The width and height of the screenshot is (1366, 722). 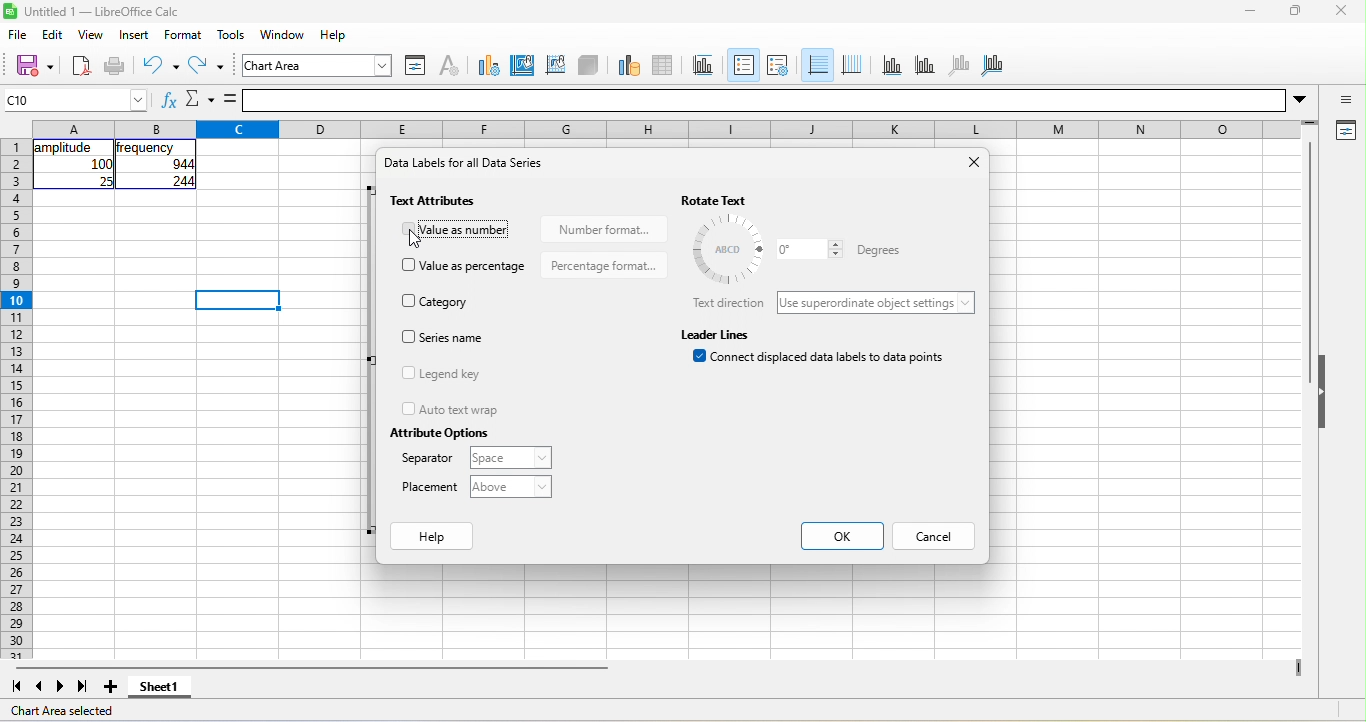 I want to click on series name, so click(x=446, y=337).